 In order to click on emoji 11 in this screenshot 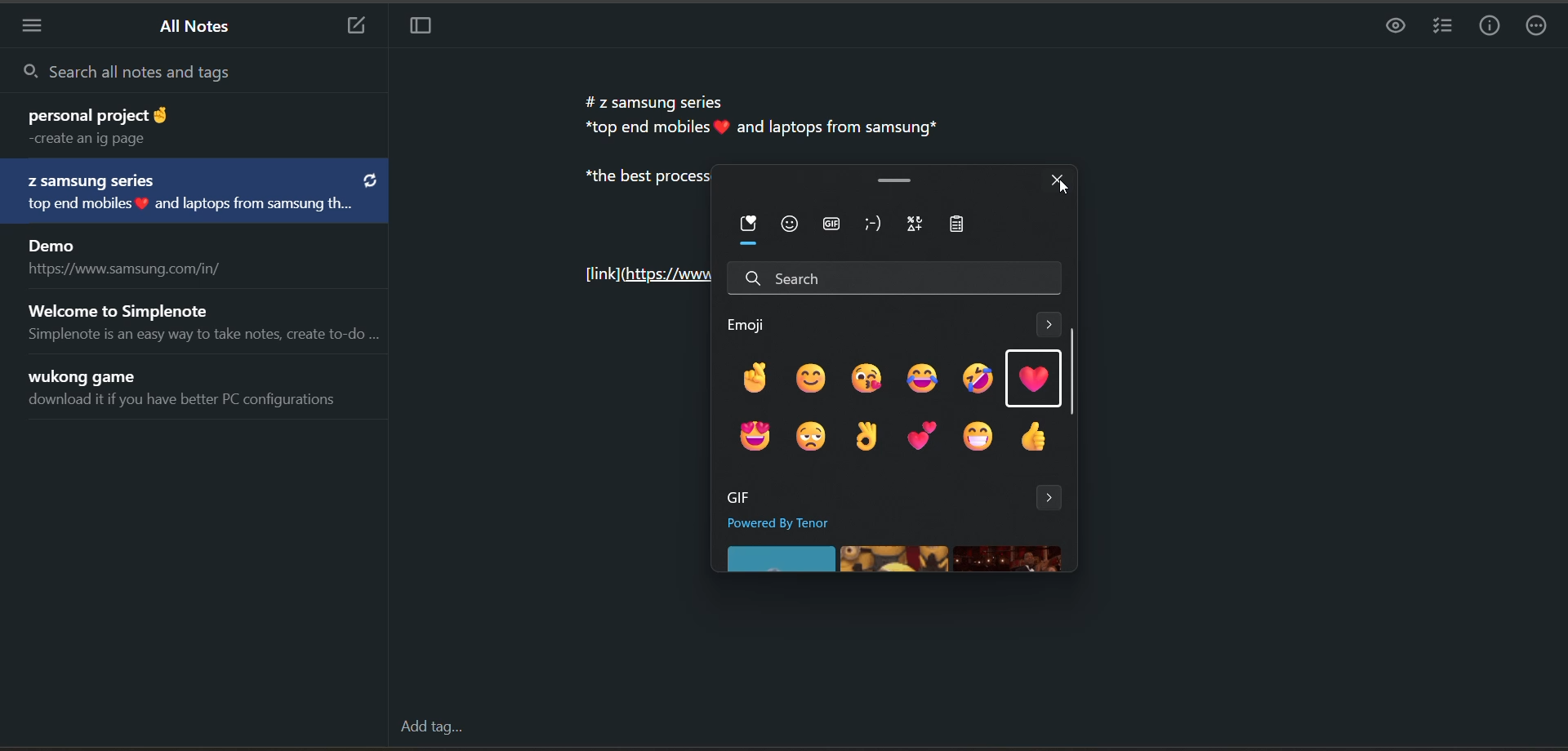, I will do `click(978, 438)`.